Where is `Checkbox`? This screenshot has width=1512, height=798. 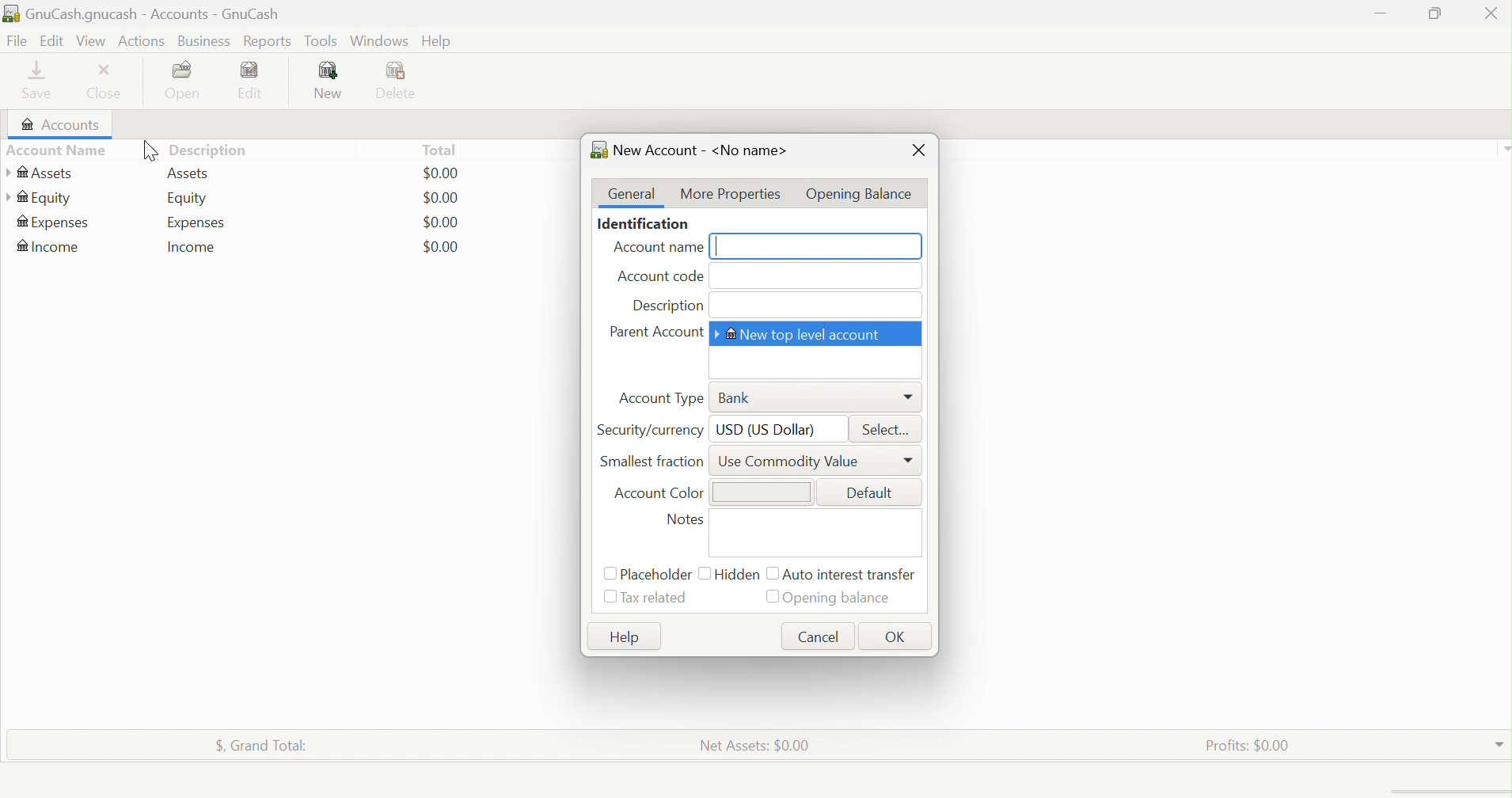
Checkbox is located at coordinates (608, 574).